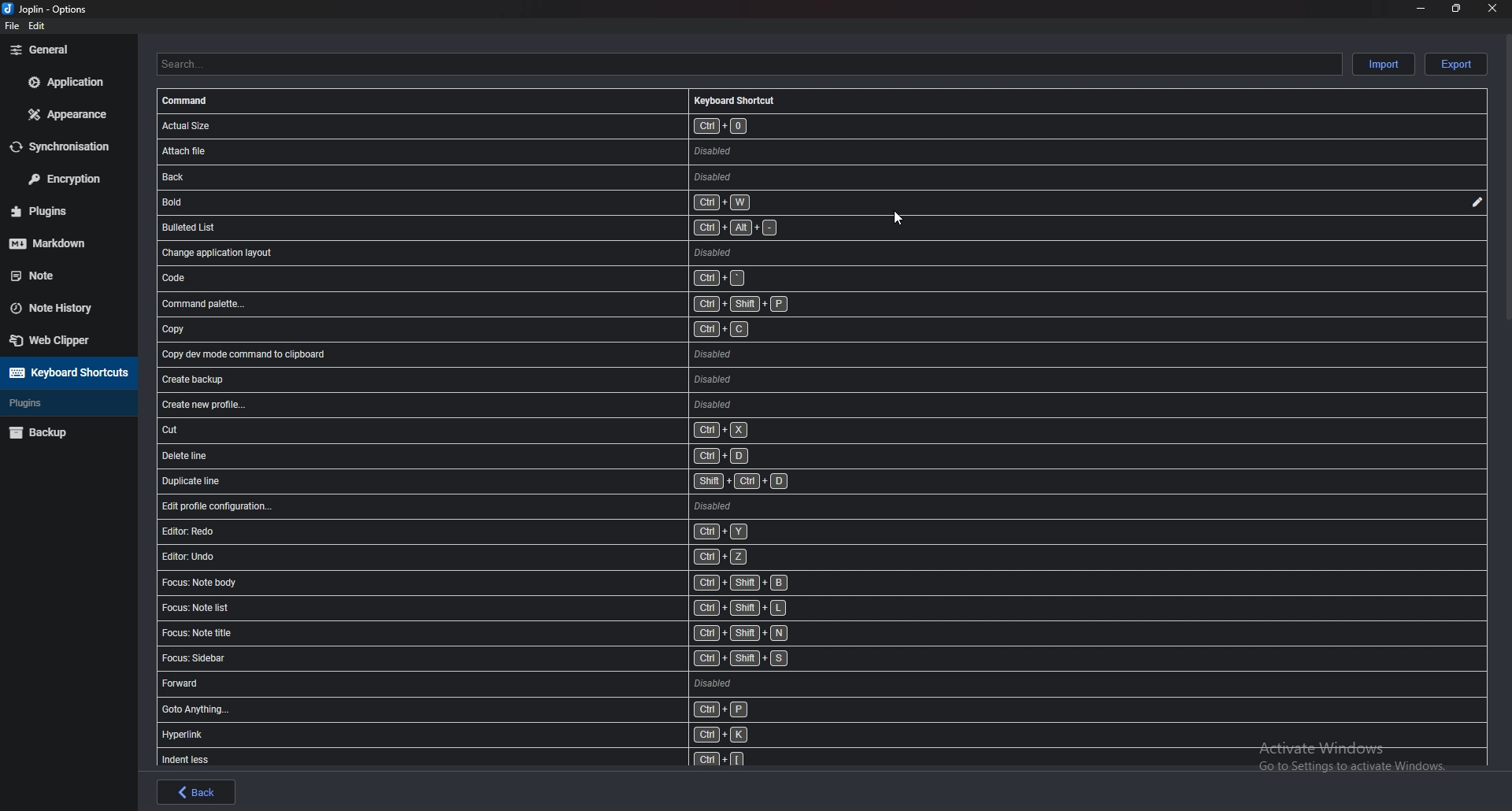  Describe the element at coordinates (62, 402) in the screenshot. I see `Plugins` at that location.